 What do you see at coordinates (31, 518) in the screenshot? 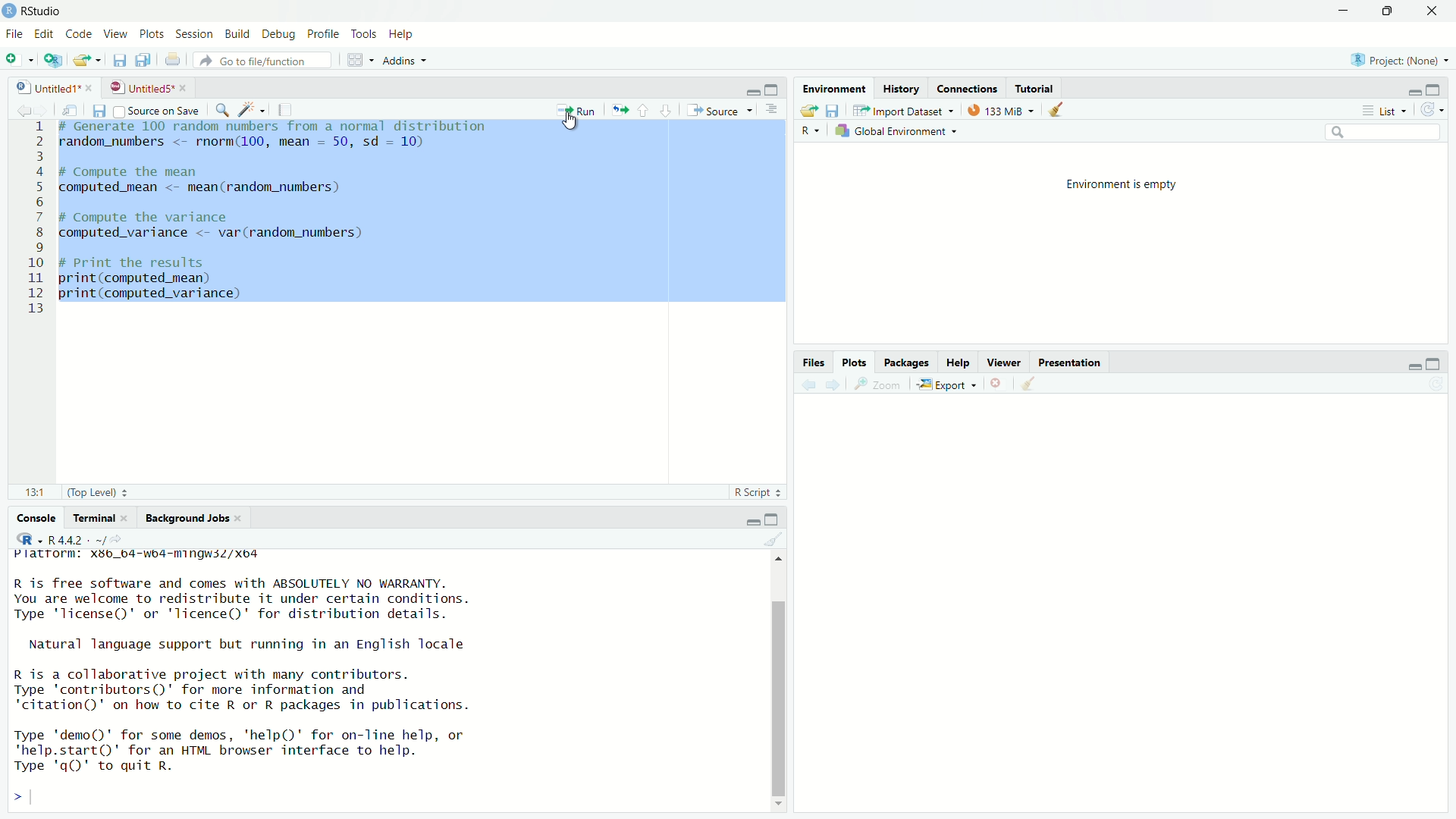
I see `console` at bounding box center [31, 518].